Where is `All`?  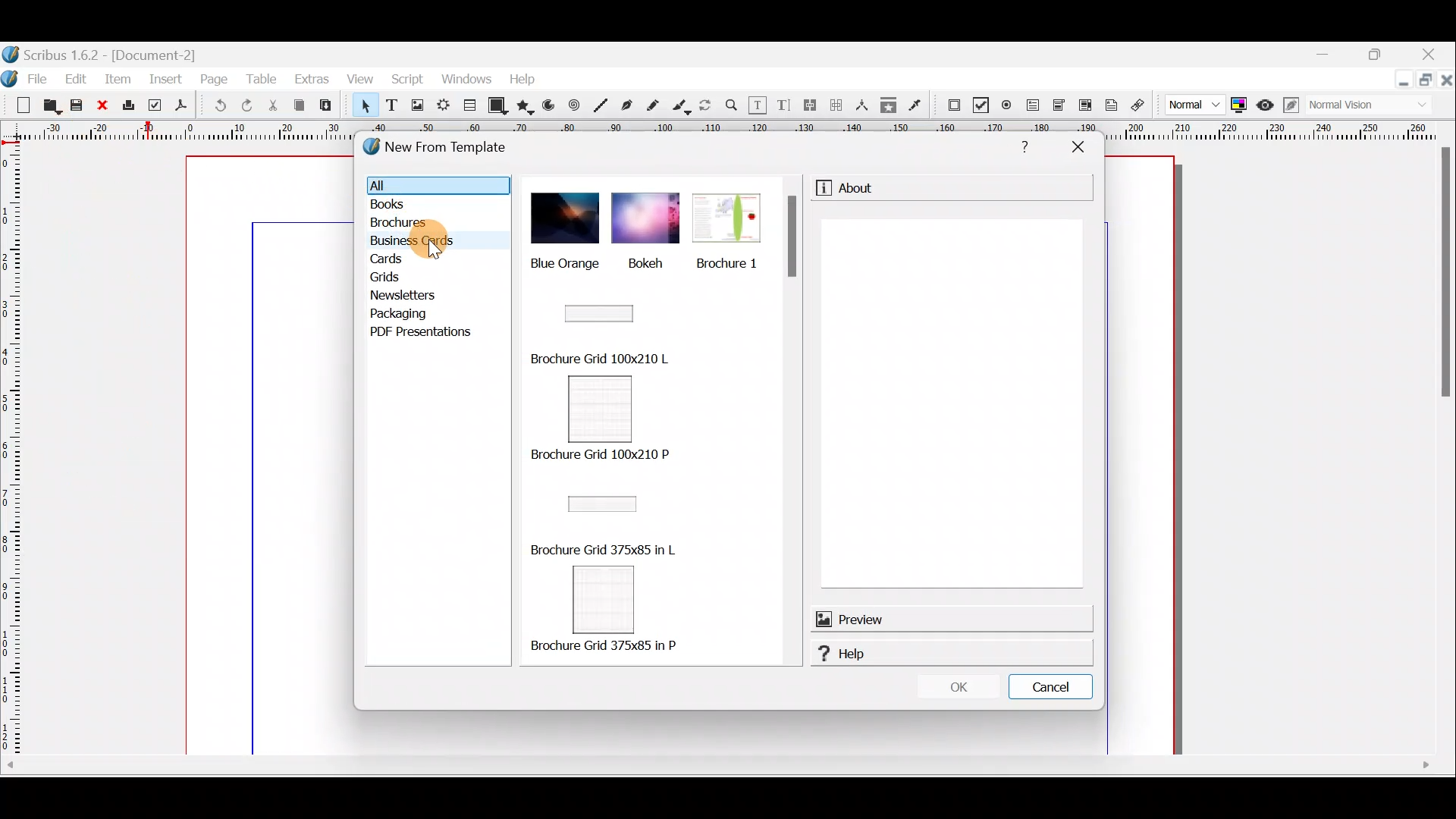
All is located at coordinates (441, 187).